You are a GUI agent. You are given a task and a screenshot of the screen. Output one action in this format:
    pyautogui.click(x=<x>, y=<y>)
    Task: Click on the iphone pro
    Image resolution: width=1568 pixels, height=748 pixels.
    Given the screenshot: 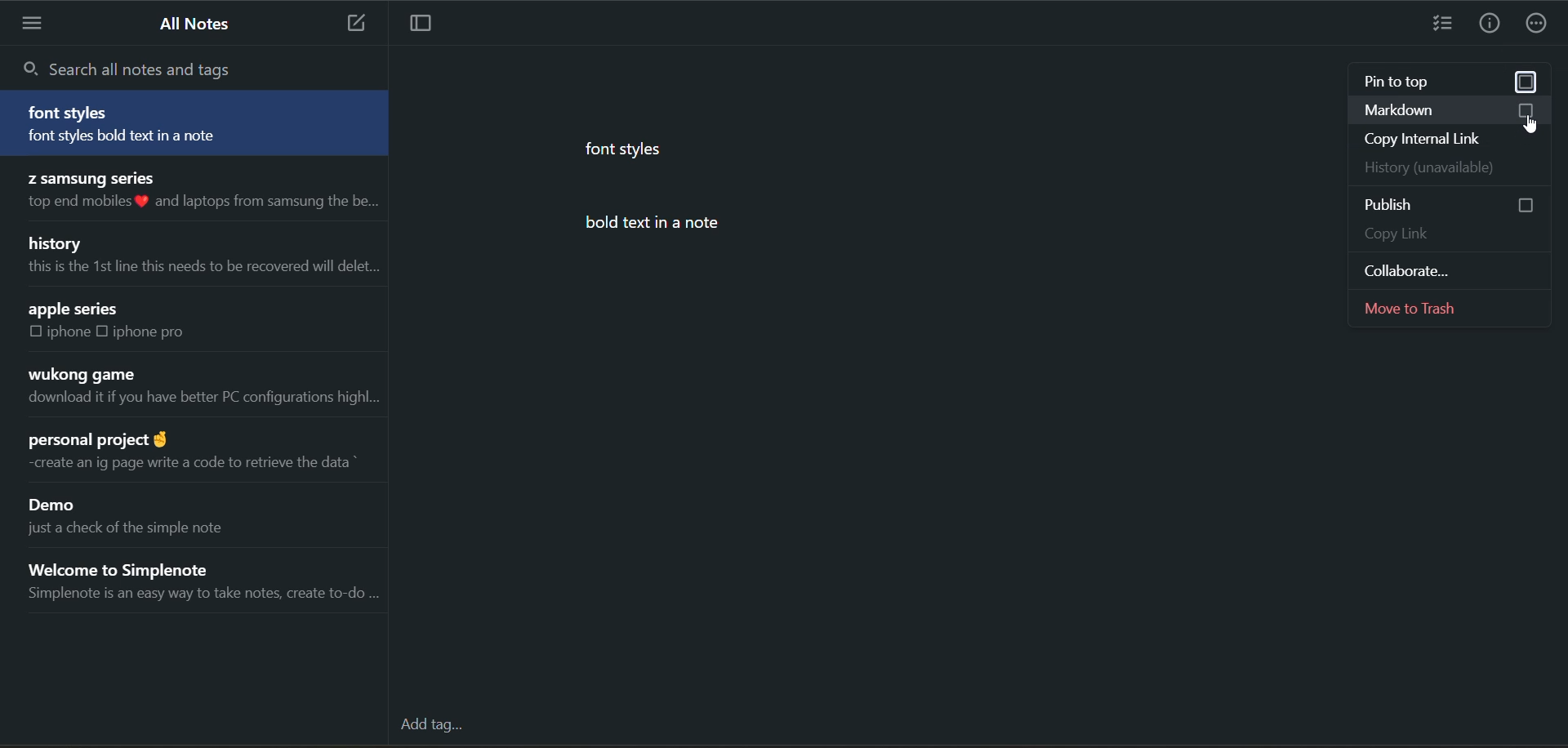 What is the action you would take?
    pyautogui.click(x=150, y=332)
    